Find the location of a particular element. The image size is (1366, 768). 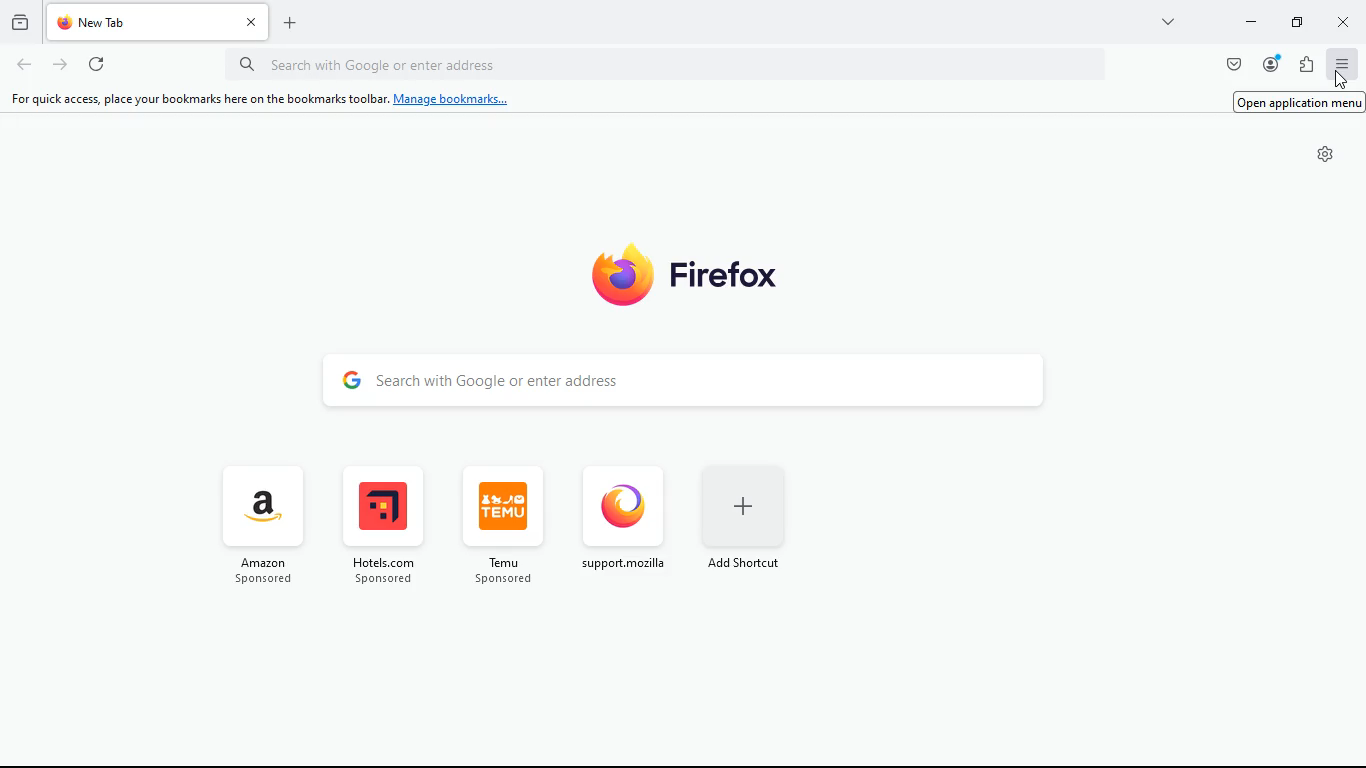

pocket is located at coordinates (1228, 65).